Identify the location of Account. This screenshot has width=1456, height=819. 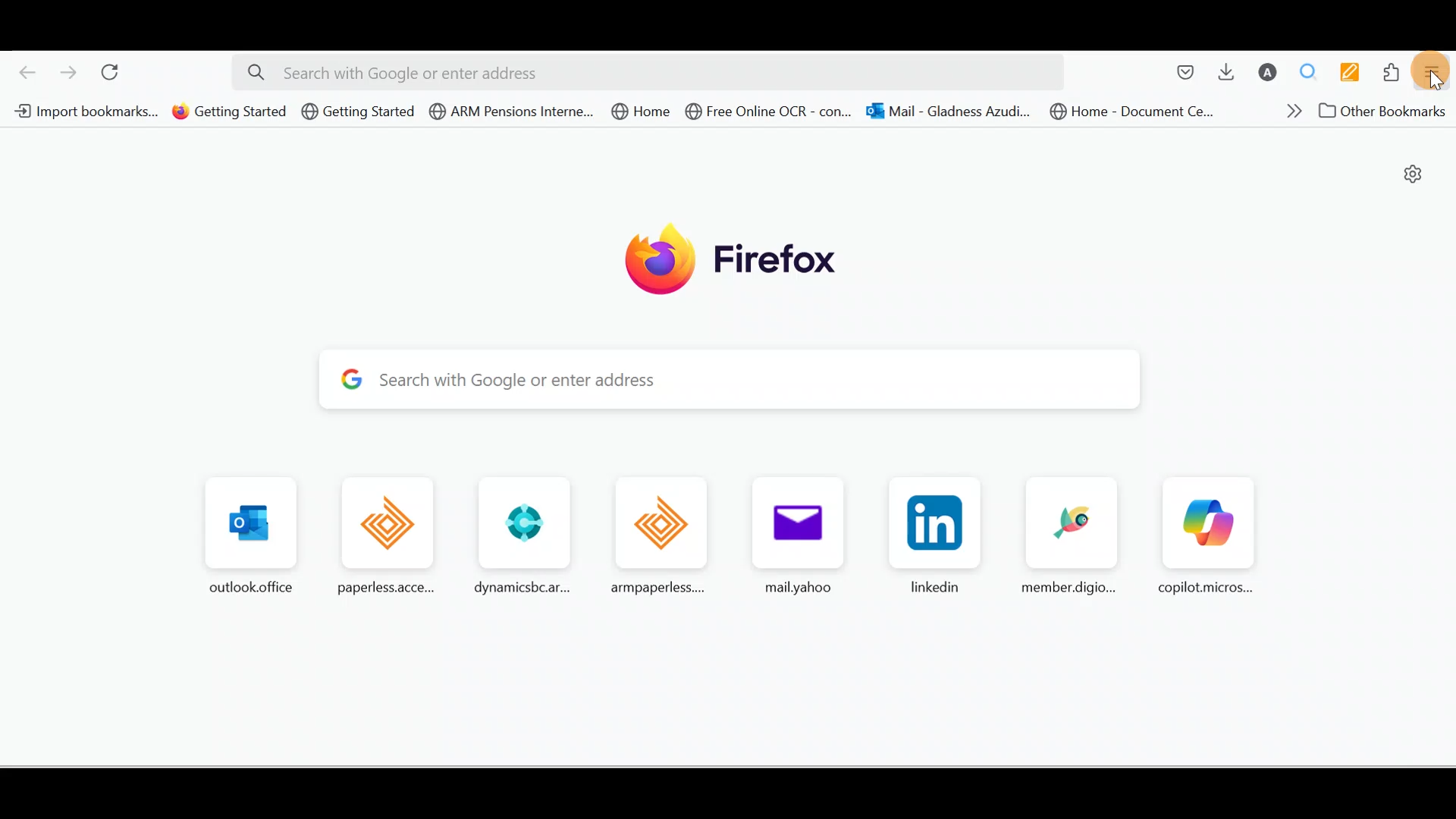
(1264, 72).